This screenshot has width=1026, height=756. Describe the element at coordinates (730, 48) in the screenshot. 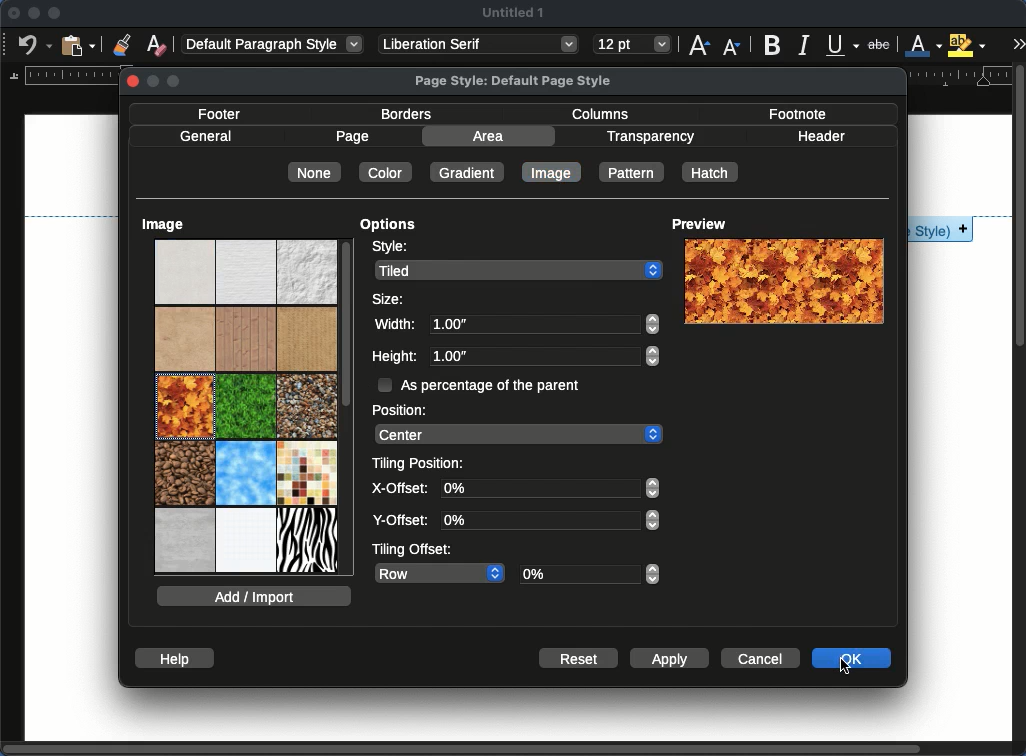

I see `decrease size` at that location.